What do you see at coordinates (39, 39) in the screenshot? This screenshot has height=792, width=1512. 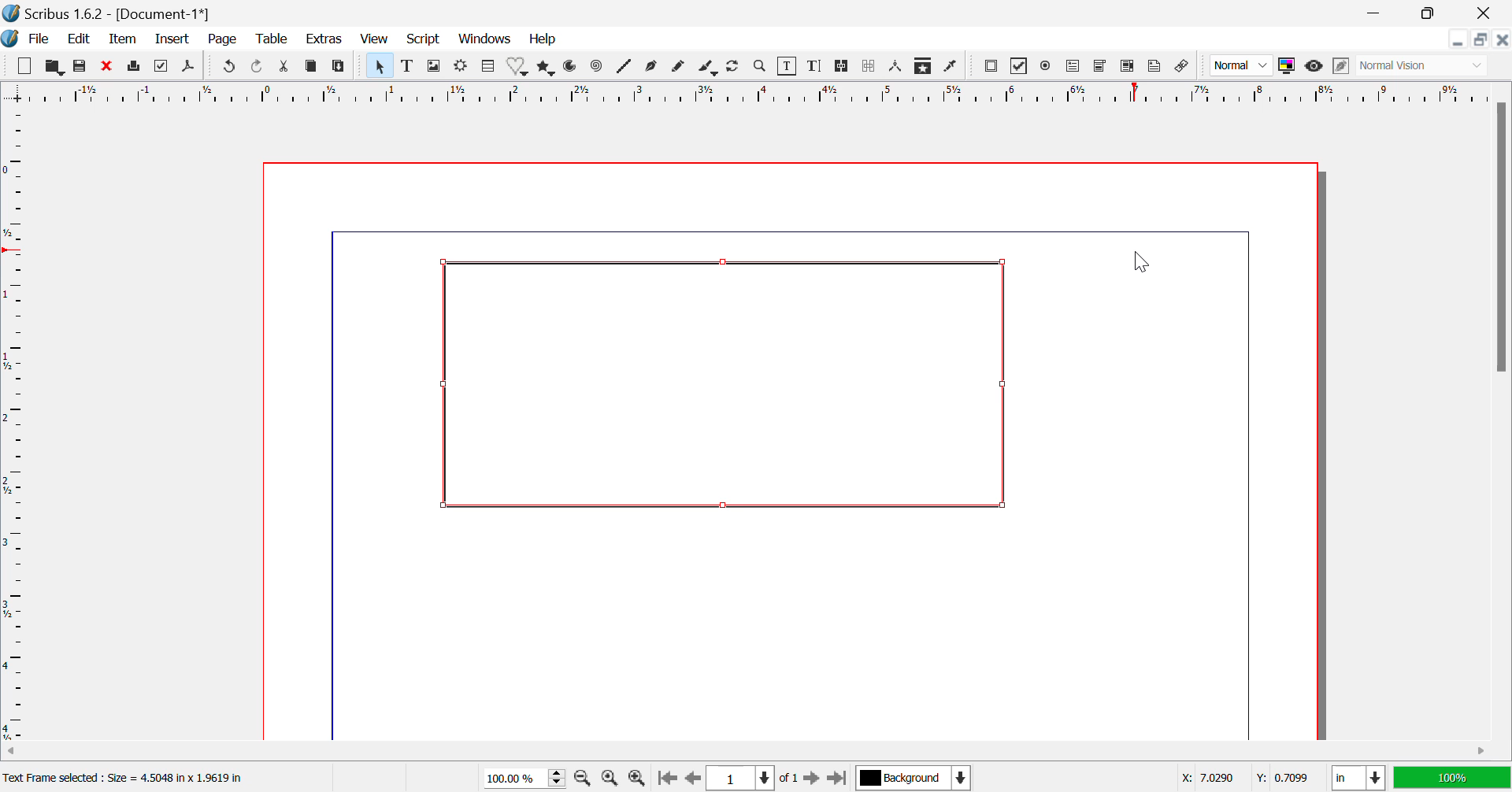 I see `File` at bounding box center [39, 39].